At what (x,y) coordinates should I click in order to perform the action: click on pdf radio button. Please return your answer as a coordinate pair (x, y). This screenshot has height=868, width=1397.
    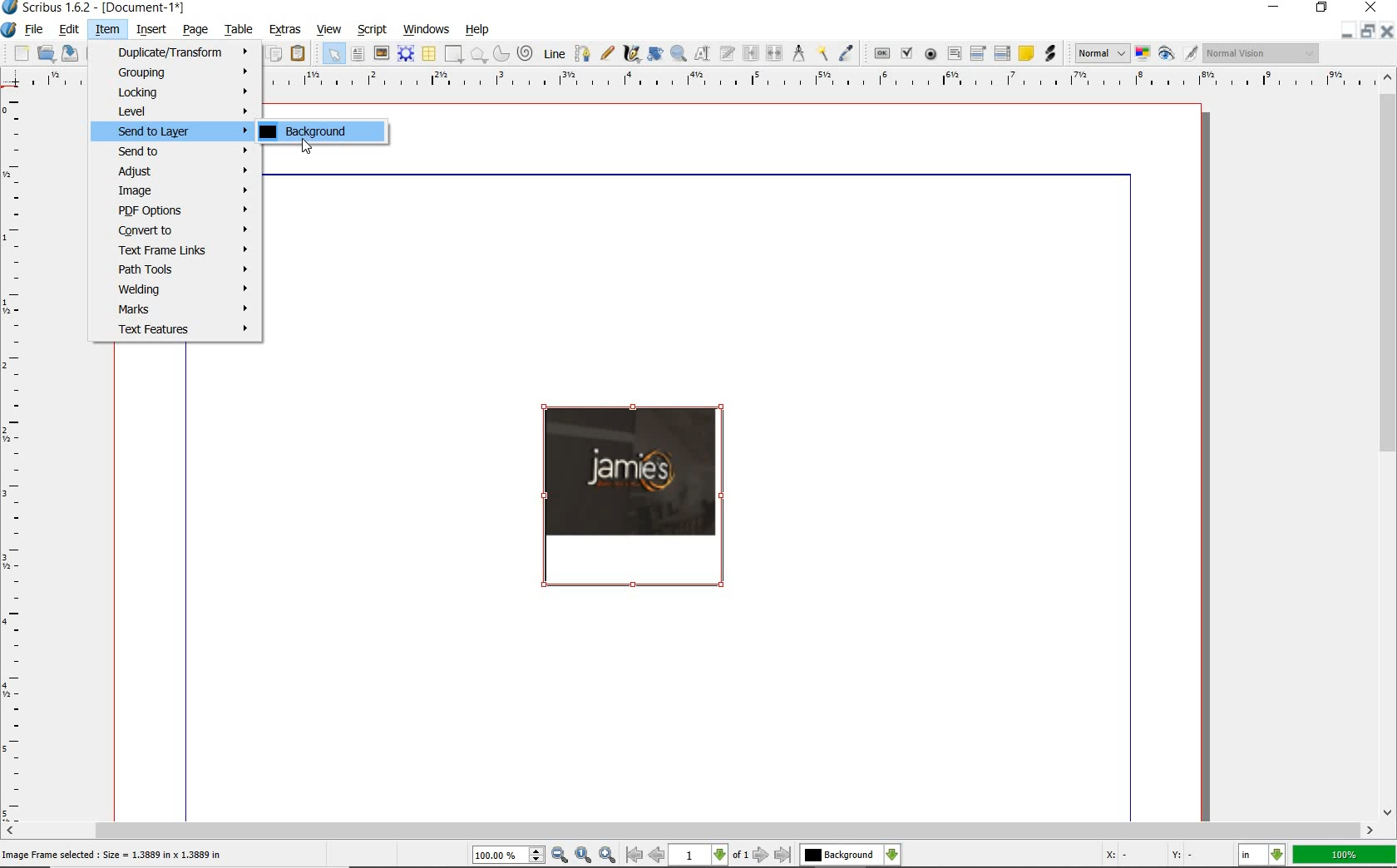
    Looking at the image, I should click on (931, 55).